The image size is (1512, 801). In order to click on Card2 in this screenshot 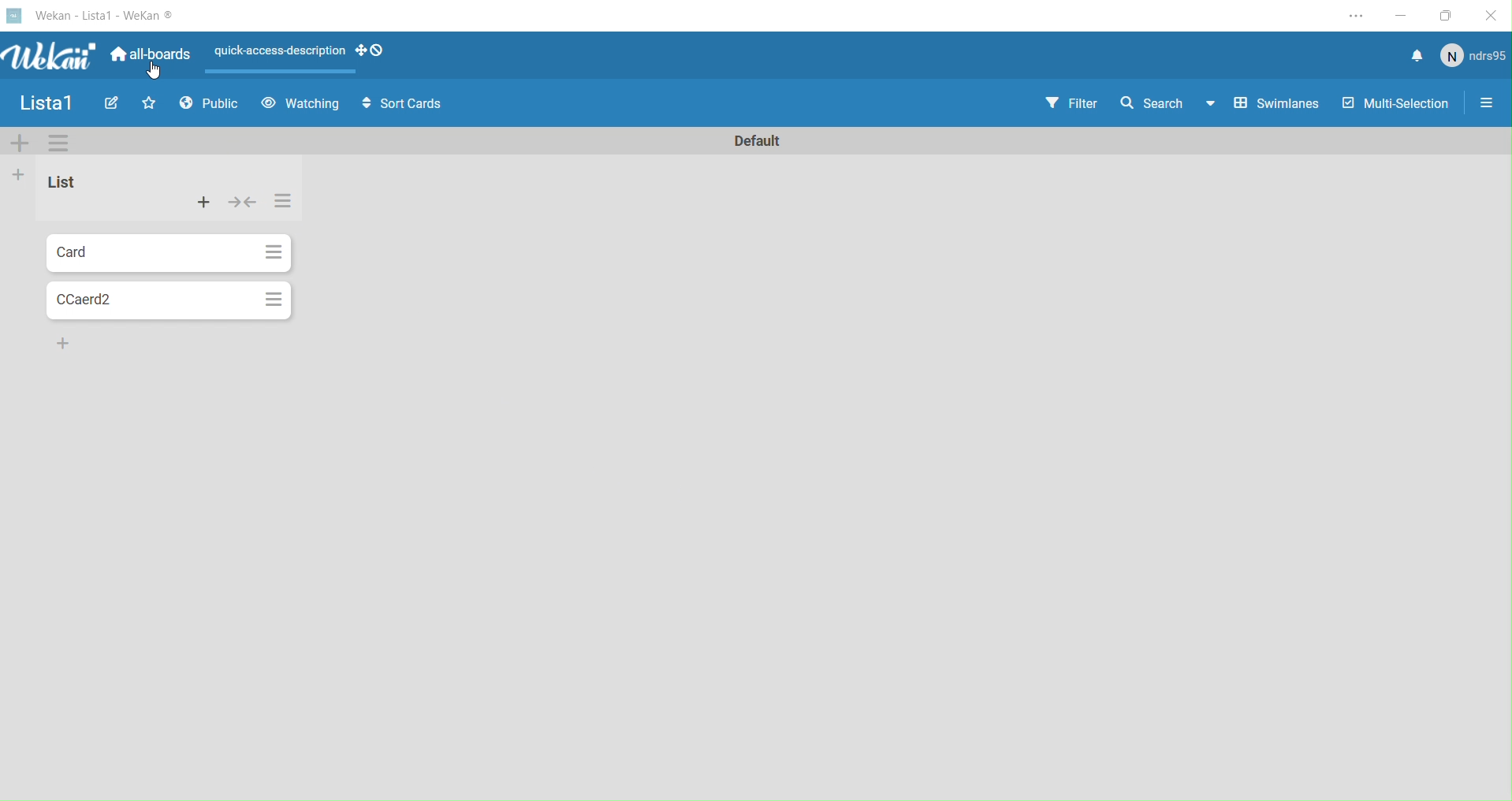, I will do `click(148, 297)`.